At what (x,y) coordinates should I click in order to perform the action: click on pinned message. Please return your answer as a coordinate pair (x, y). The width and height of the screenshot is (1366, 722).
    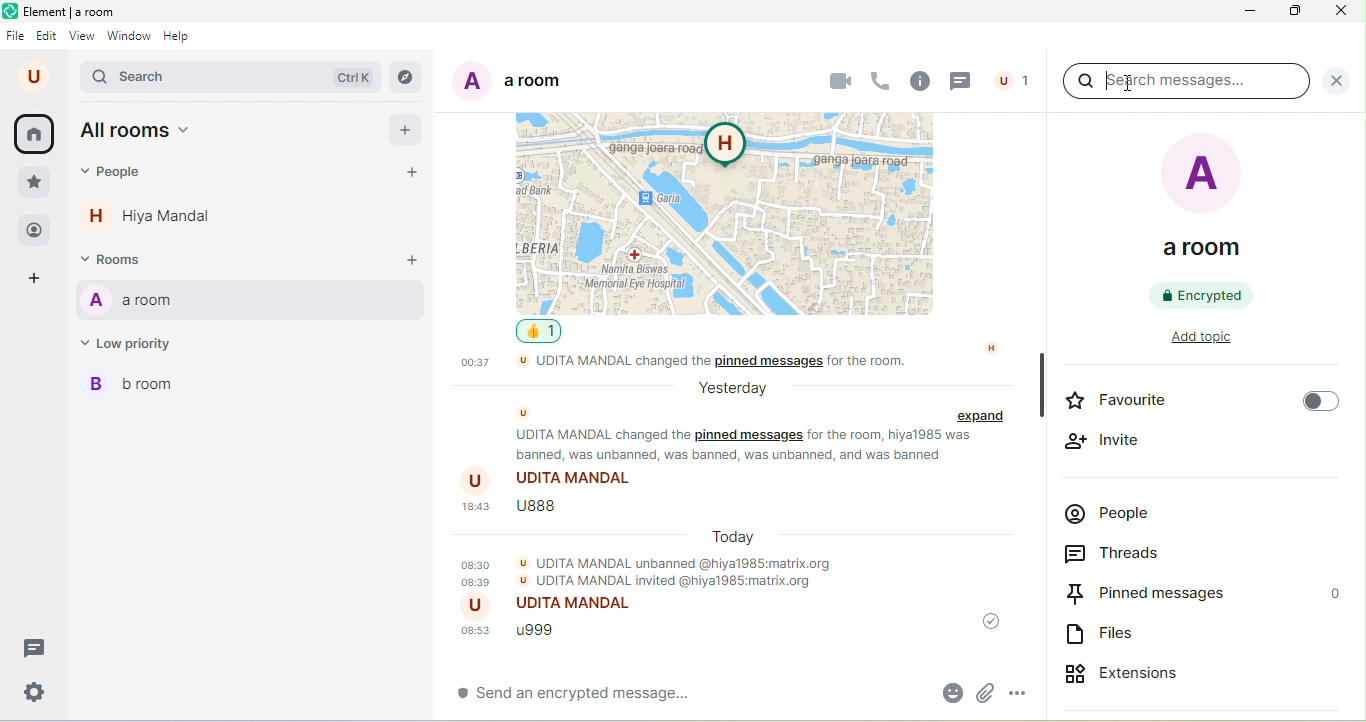
    Looking at the image, I should click on (1204, 594).